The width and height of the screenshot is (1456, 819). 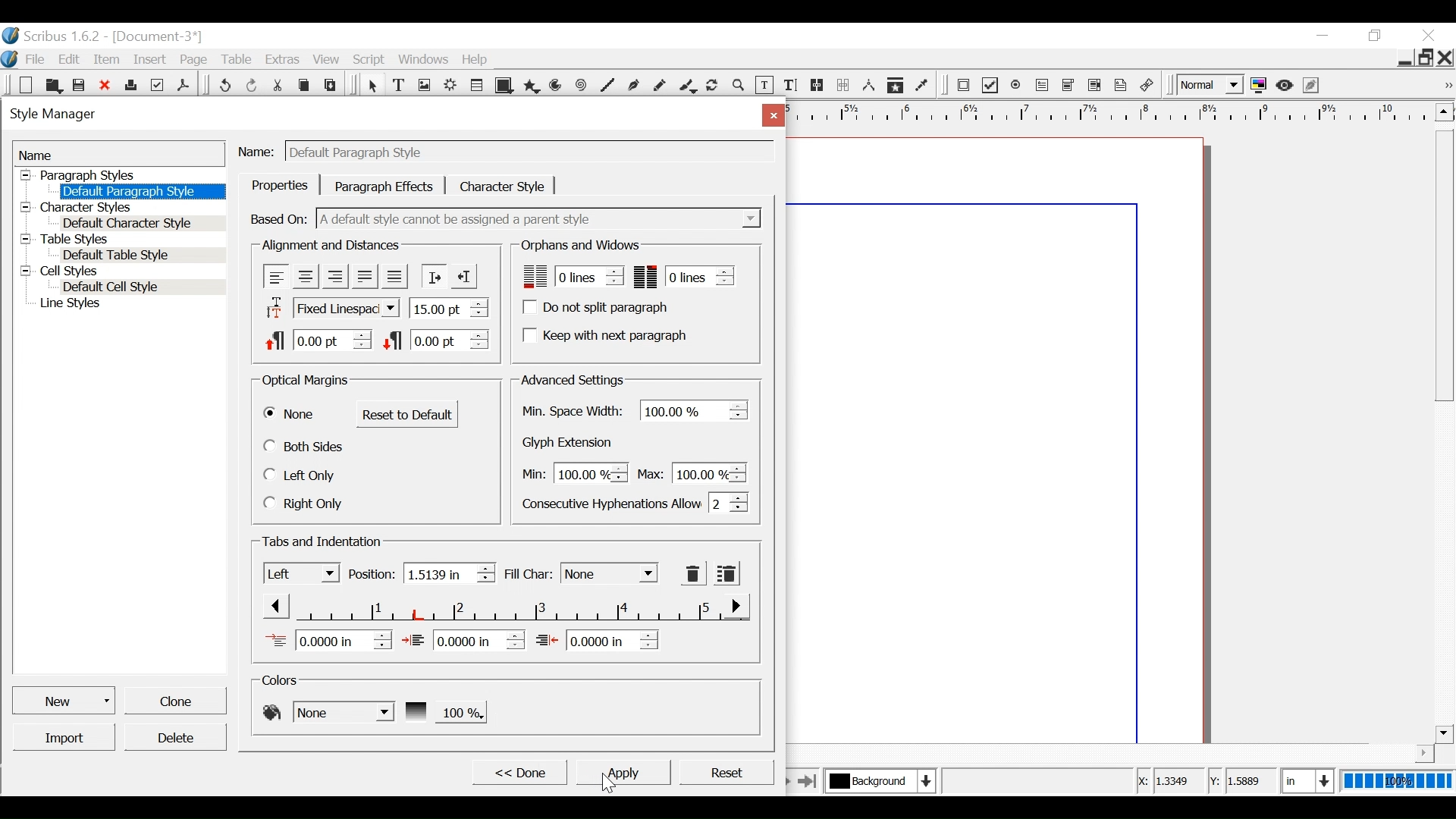 What do you see at coordinates (157, 84) in the screenshot?
I see `Prefilight Verifier` at bounding box center [157, 84].